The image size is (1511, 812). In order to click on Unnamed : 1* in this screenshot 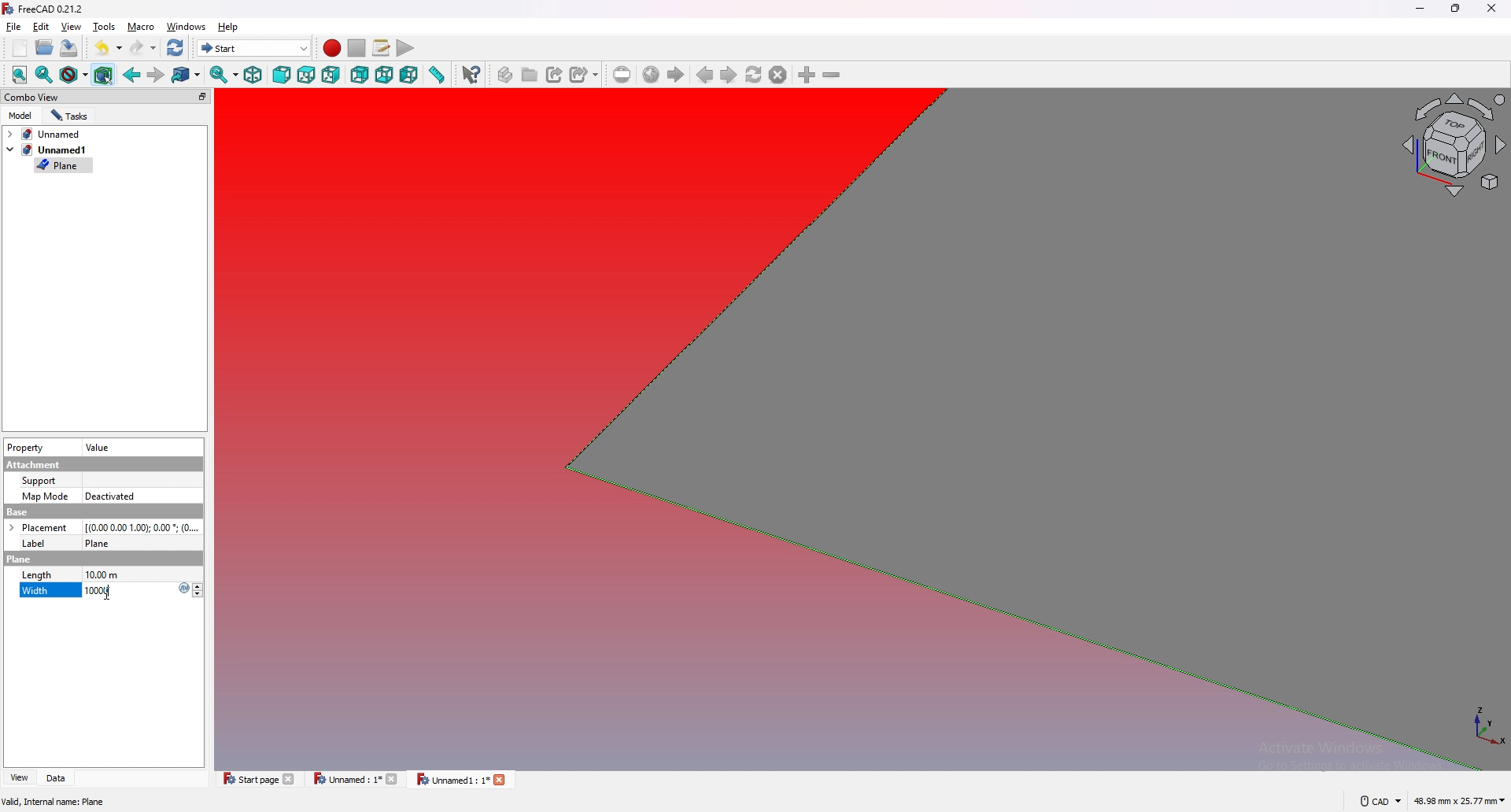, I will do `click(356, 779)`.